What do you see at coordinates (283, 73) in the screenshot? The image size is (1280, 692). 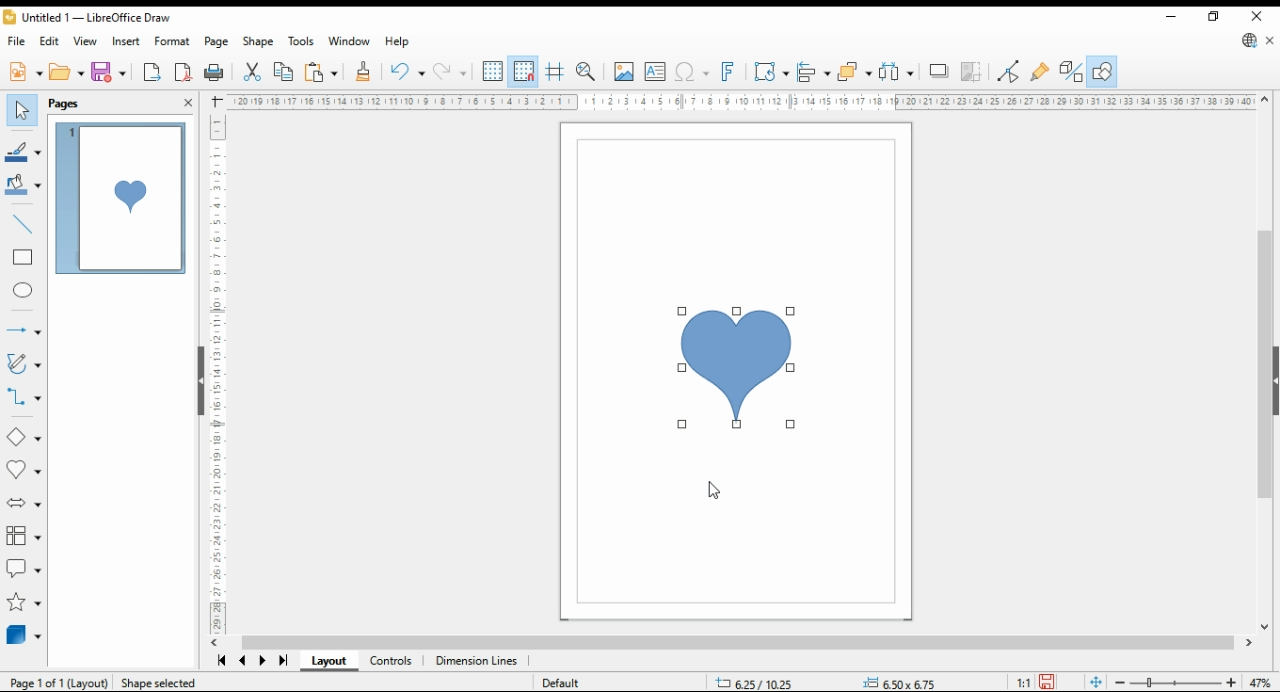 I see `copy` at bounding box center [283, 73].